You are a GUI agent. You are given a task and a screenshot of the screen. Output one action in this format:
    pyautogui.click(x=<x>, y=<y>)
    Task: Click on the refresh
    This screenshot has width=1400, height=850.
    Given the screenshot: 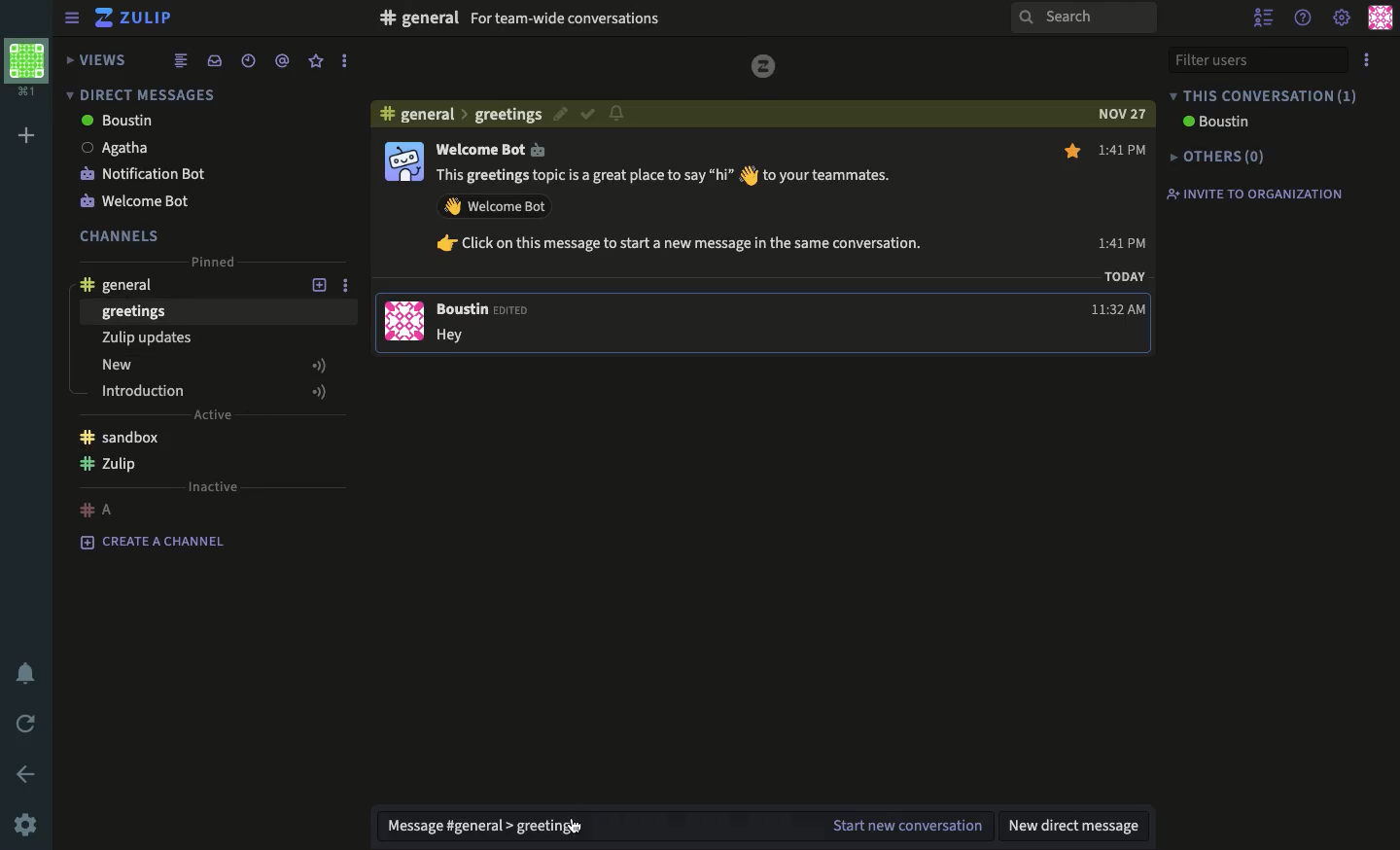 What is the action you would take?
    pyautogui.click(x=29, y=725)
    